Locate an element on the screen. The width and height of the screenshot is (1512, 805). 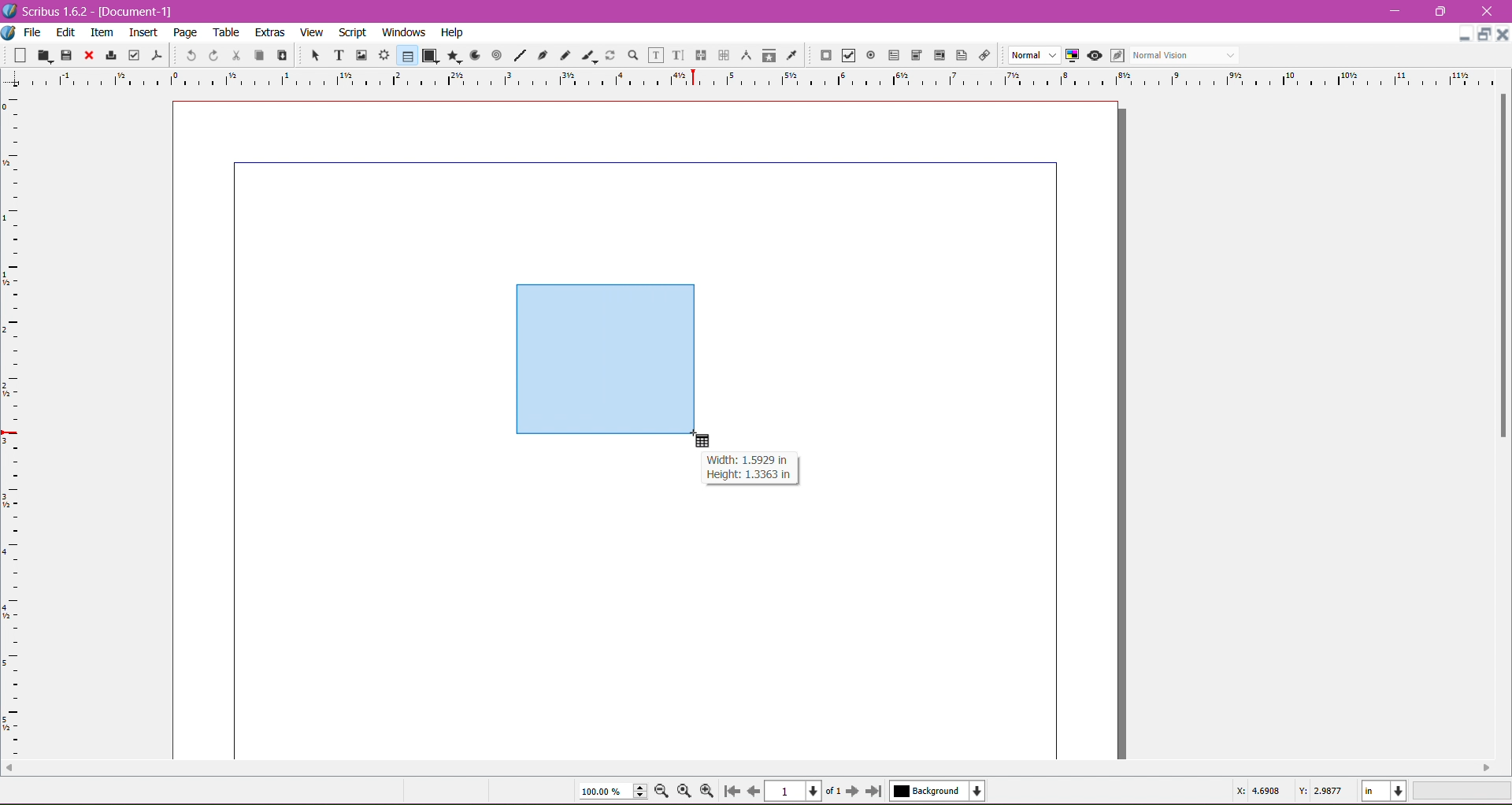
Last Page is located at coordinates (877, 792).